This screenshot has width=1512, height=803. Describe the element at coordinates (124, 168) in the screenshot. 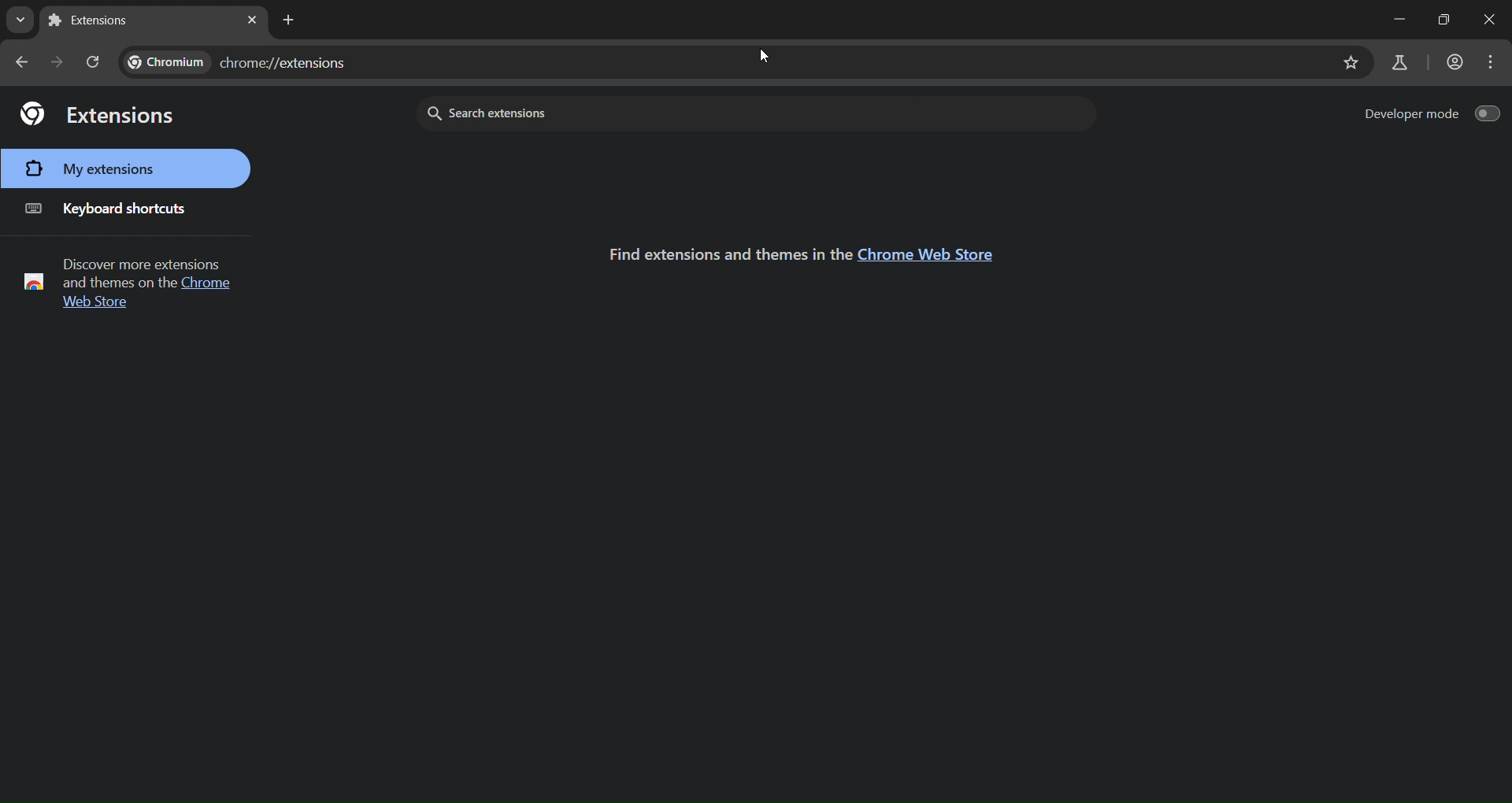

I see `my extensions` at that location.